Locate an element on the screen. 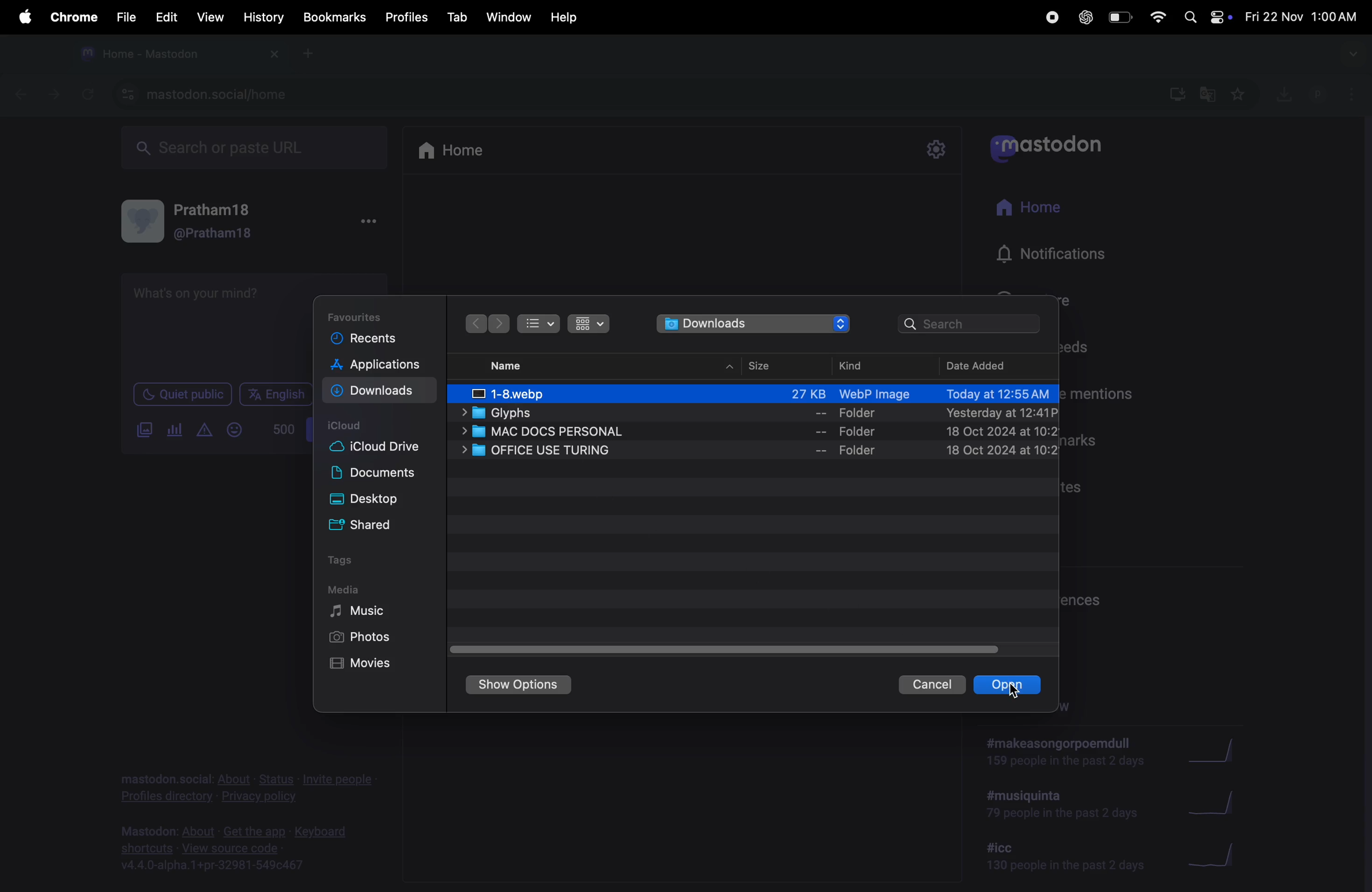 The height and width of the screenshot is (892, 1372). quiet public is located at coordinates (180, 396).